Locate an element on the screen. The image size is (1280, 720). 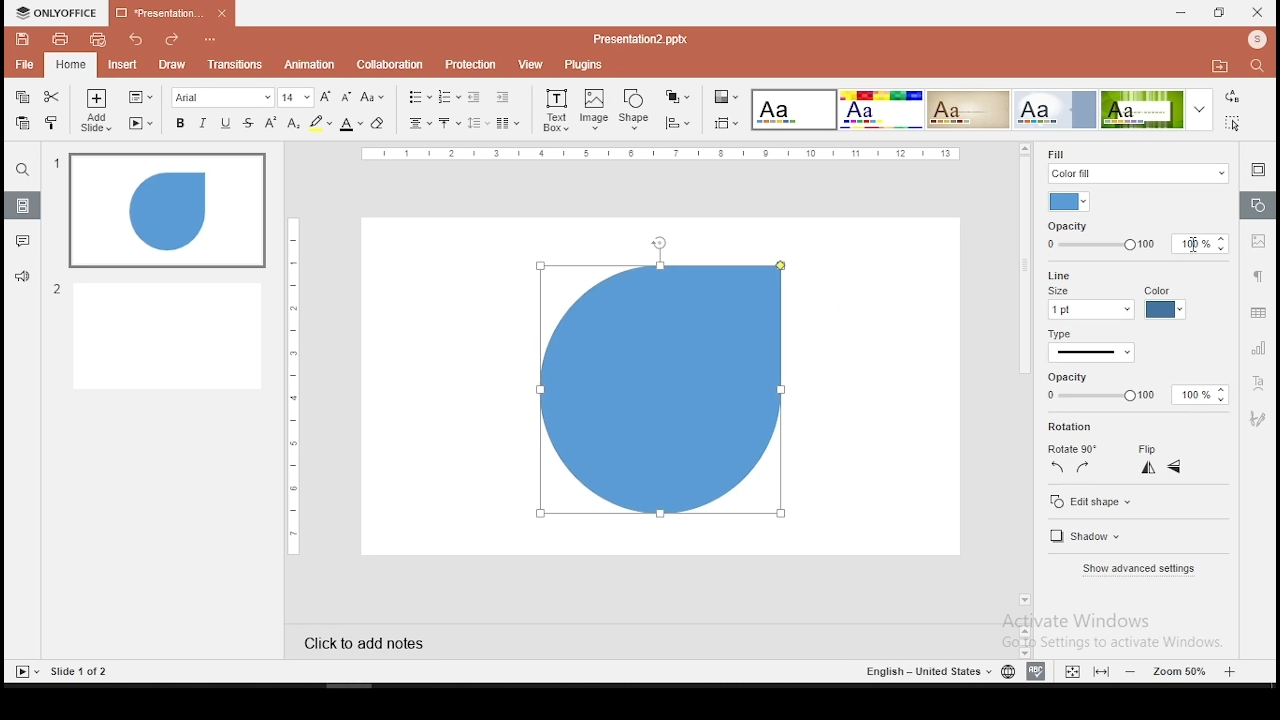
highlight is located at coordinates (320, 124).